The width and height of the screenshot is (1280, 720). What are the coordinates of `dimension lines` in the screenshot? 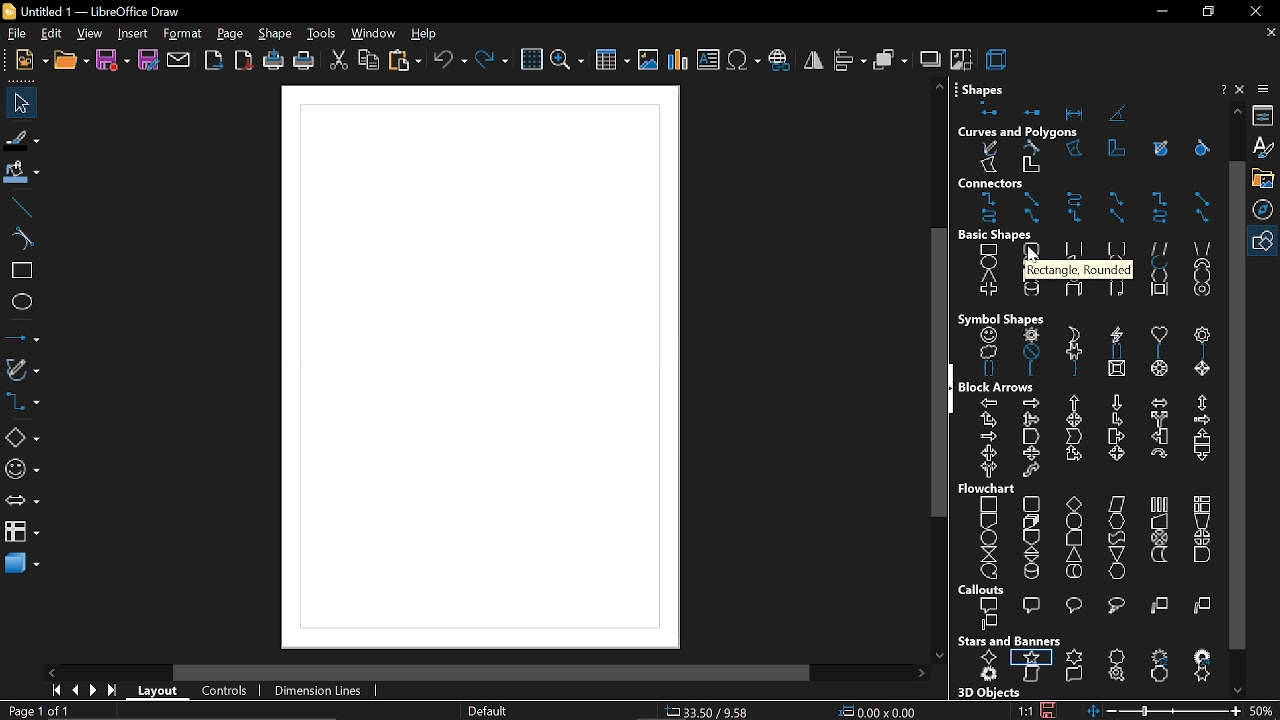 It's located at (320, 692).